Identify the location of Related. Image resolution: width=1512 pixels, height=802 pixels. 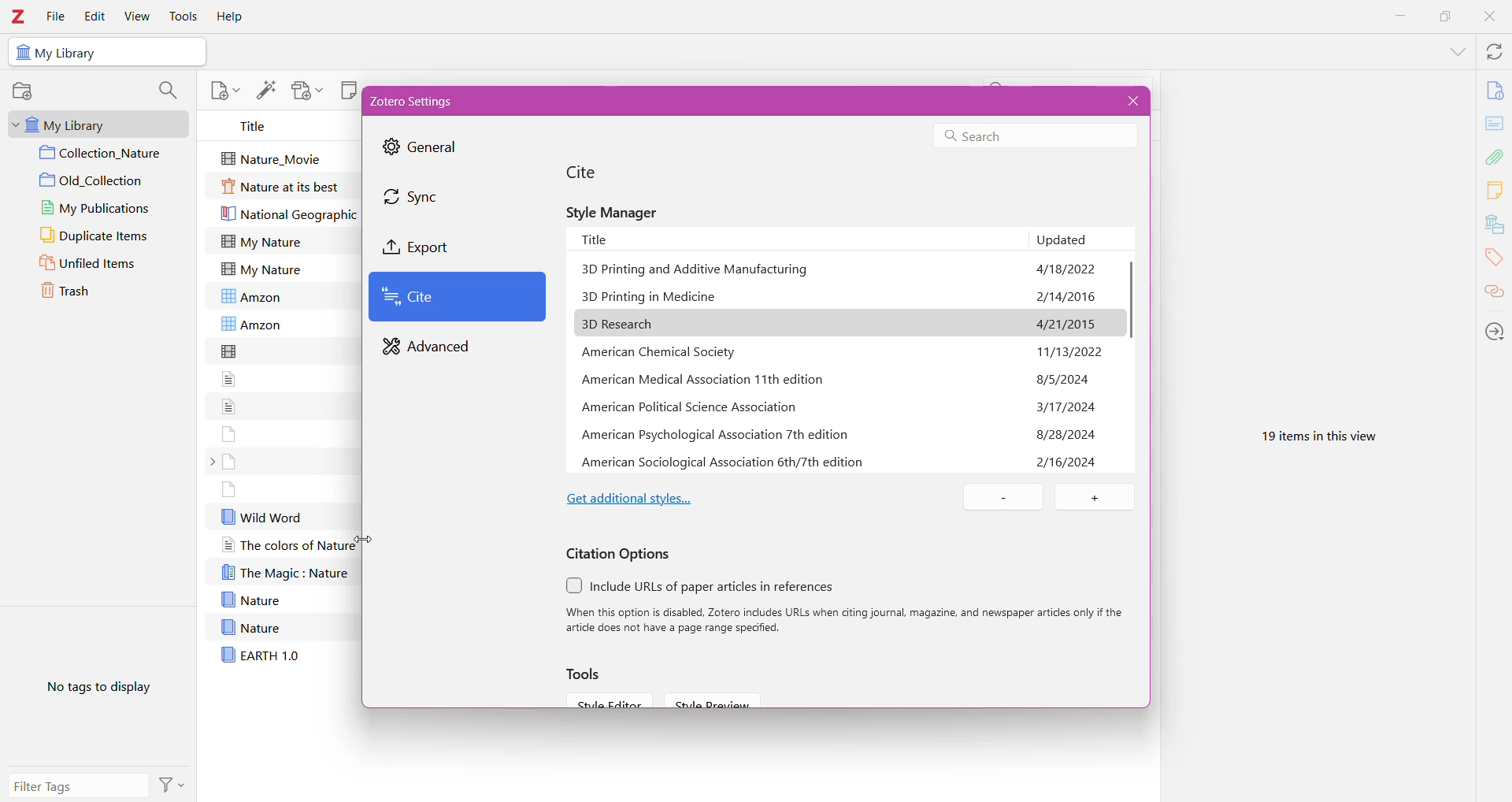
(1494, 293).